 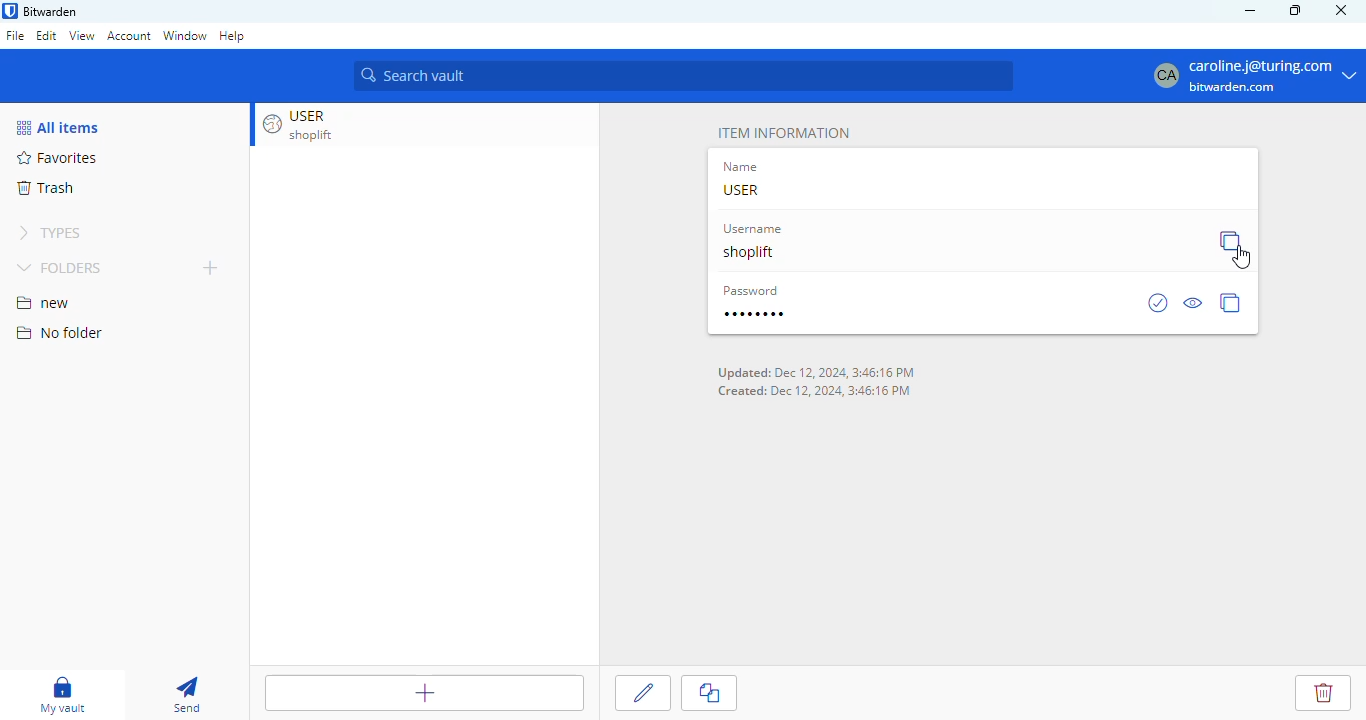 I want to click on edit, so click(x=645, y=693).